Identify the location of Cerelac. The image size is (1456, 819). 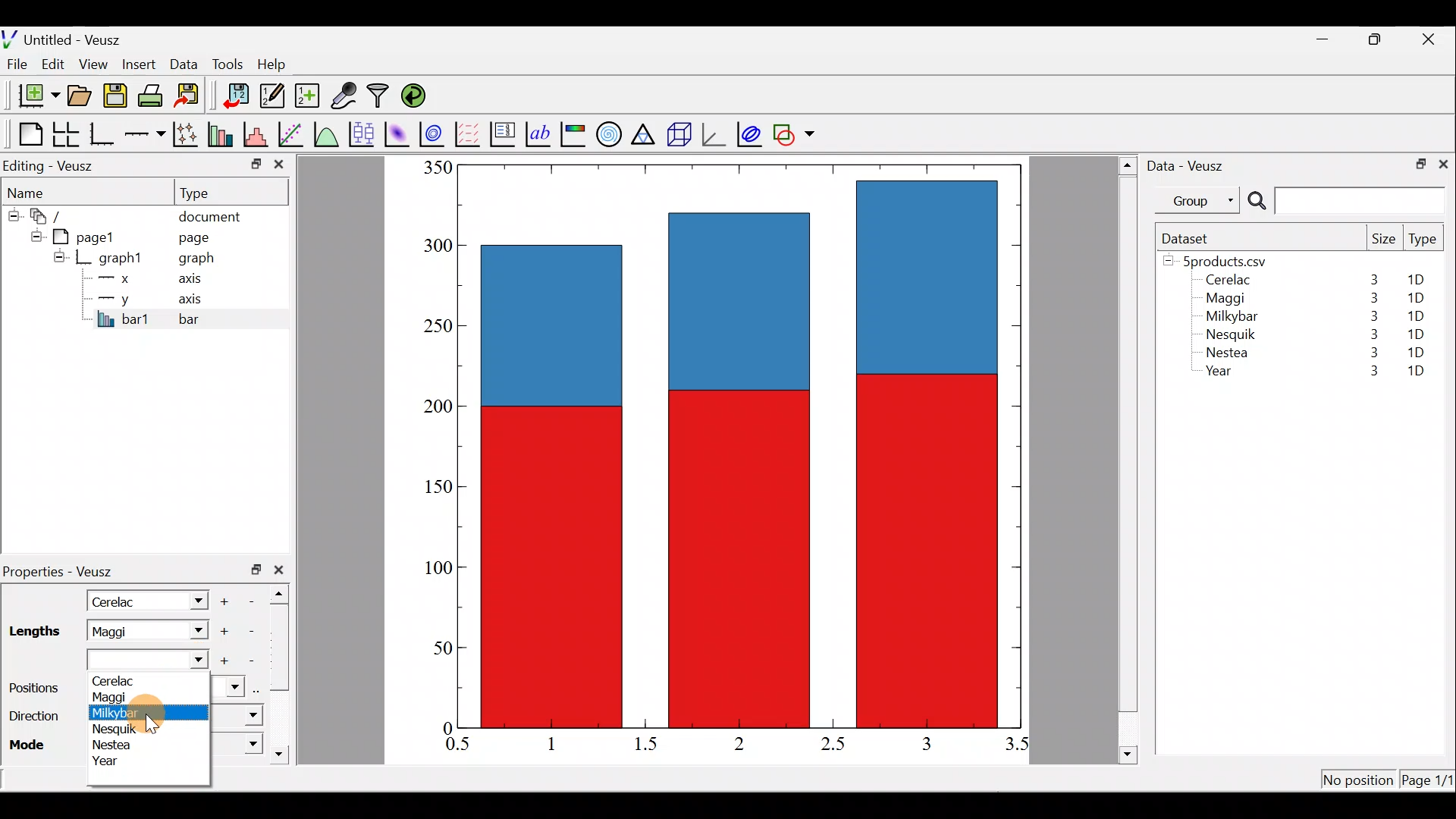
(118, 600).